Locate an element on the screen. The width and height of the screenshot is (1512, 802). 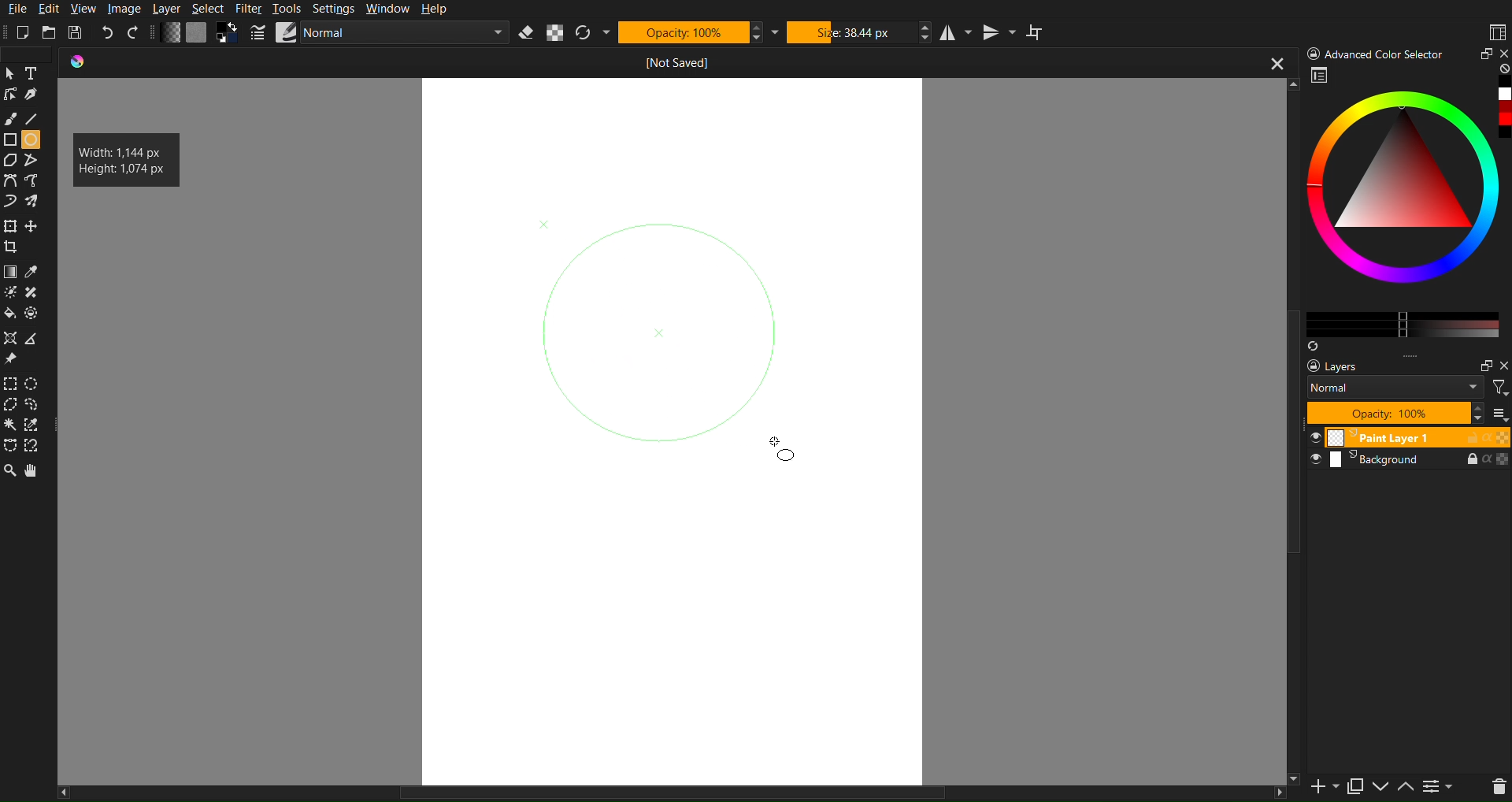
Selction dropper is located at coordinates (35, 426).